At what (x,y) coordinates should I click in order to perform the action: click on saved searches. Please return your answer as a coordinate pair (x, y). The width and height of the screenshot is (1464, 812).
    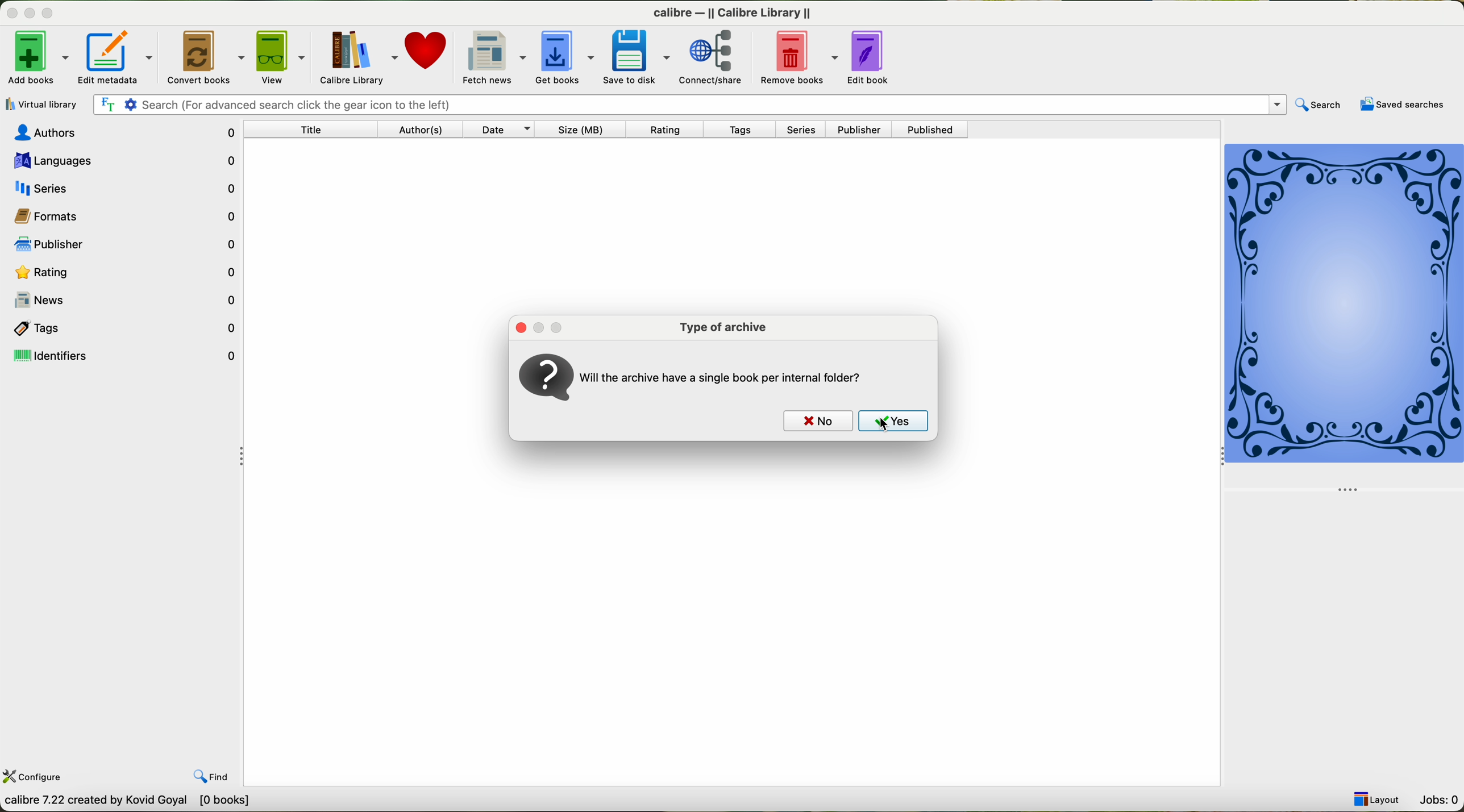
    Looking at the image, I should click on (1403, 106).